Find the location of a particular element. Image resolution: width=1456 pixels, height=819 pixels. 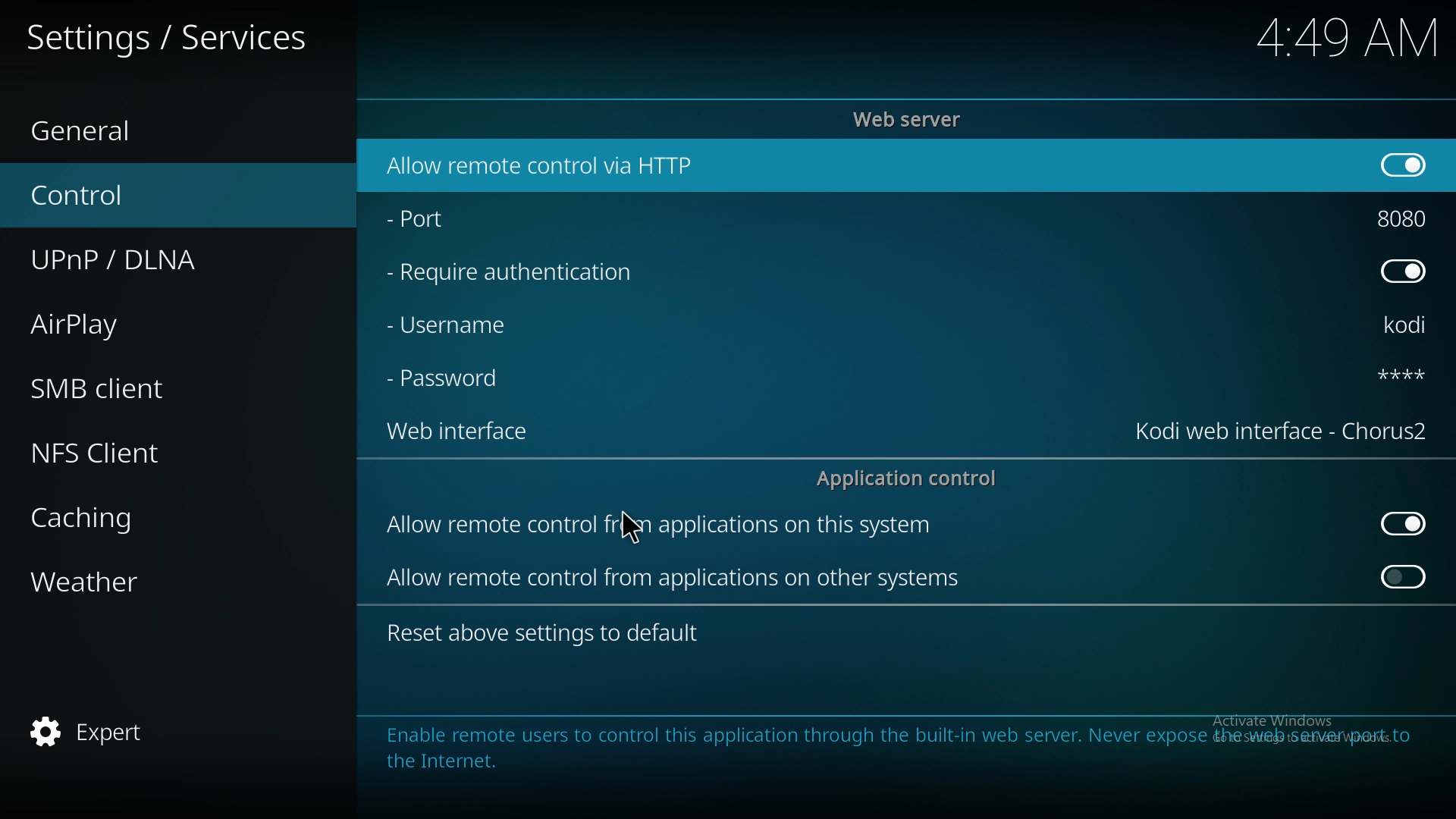

control is located at coordinates (111, 194).